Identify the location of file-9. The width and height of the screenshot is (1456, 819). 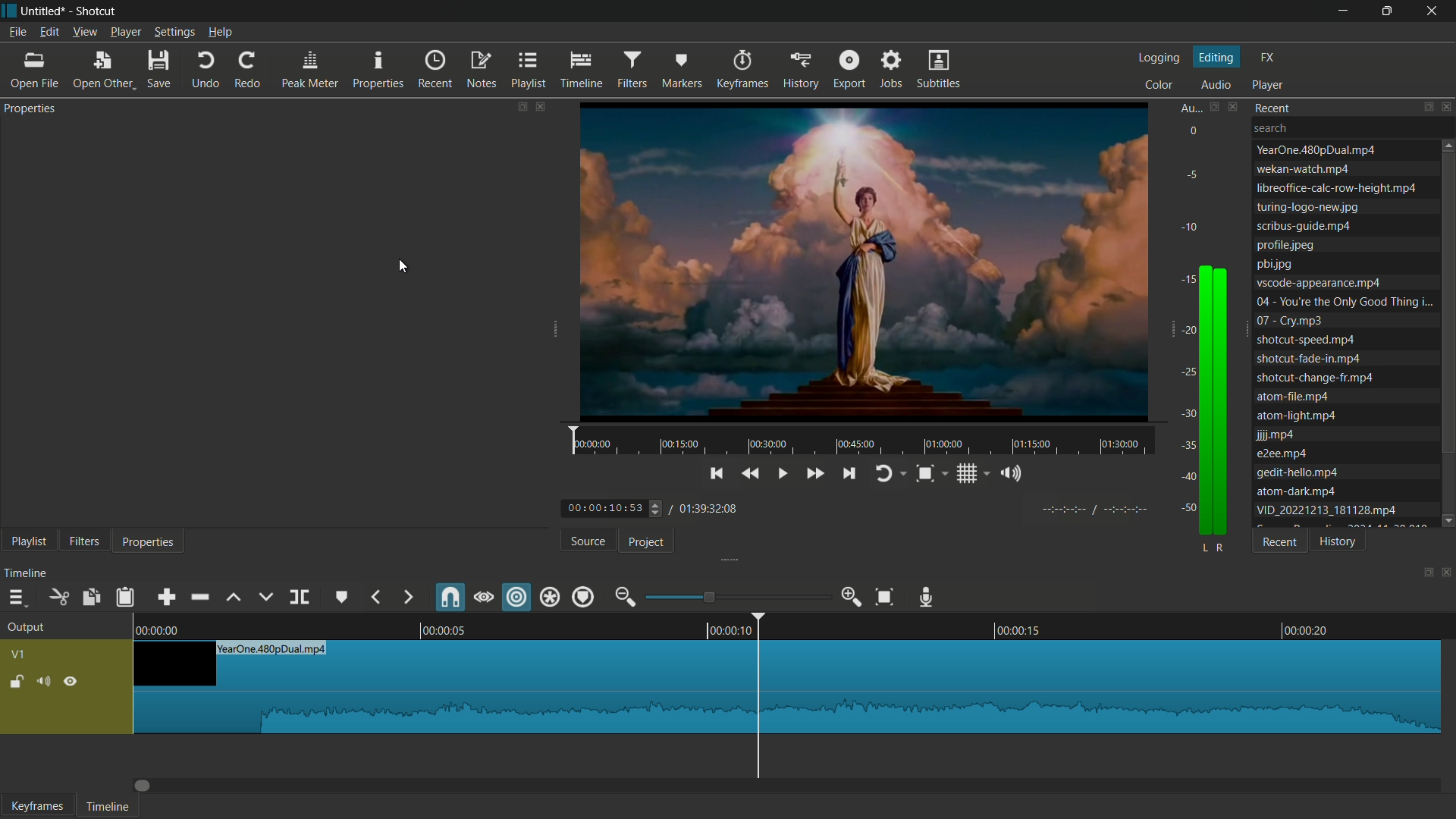
(1345, 300).